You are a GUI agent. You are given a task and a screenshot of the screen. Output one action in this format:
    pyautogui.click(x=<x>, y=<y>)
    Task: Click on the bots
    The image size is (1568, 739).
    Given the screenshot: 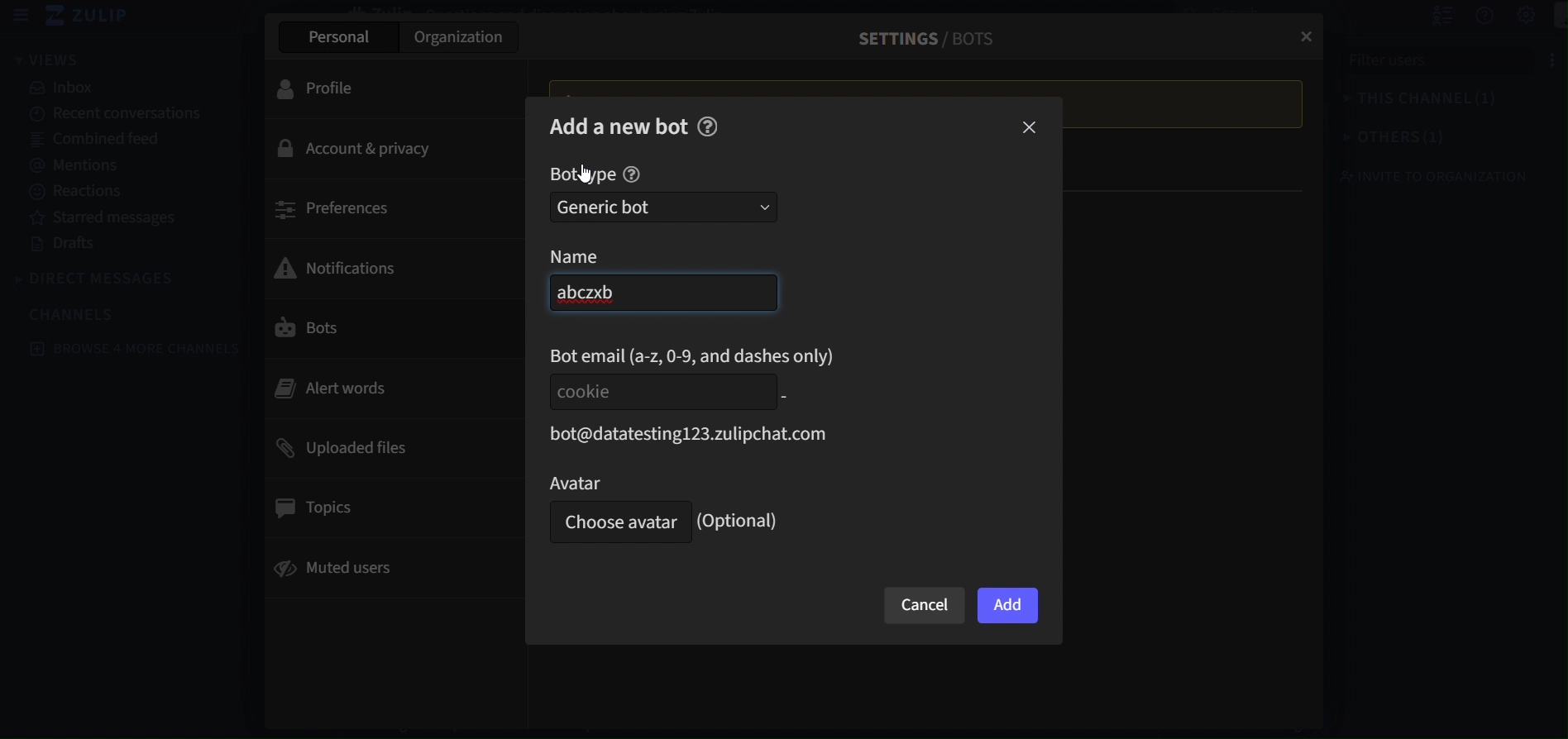 What is the action you would take?
    pyautogui.click(x=381, y=329)
    